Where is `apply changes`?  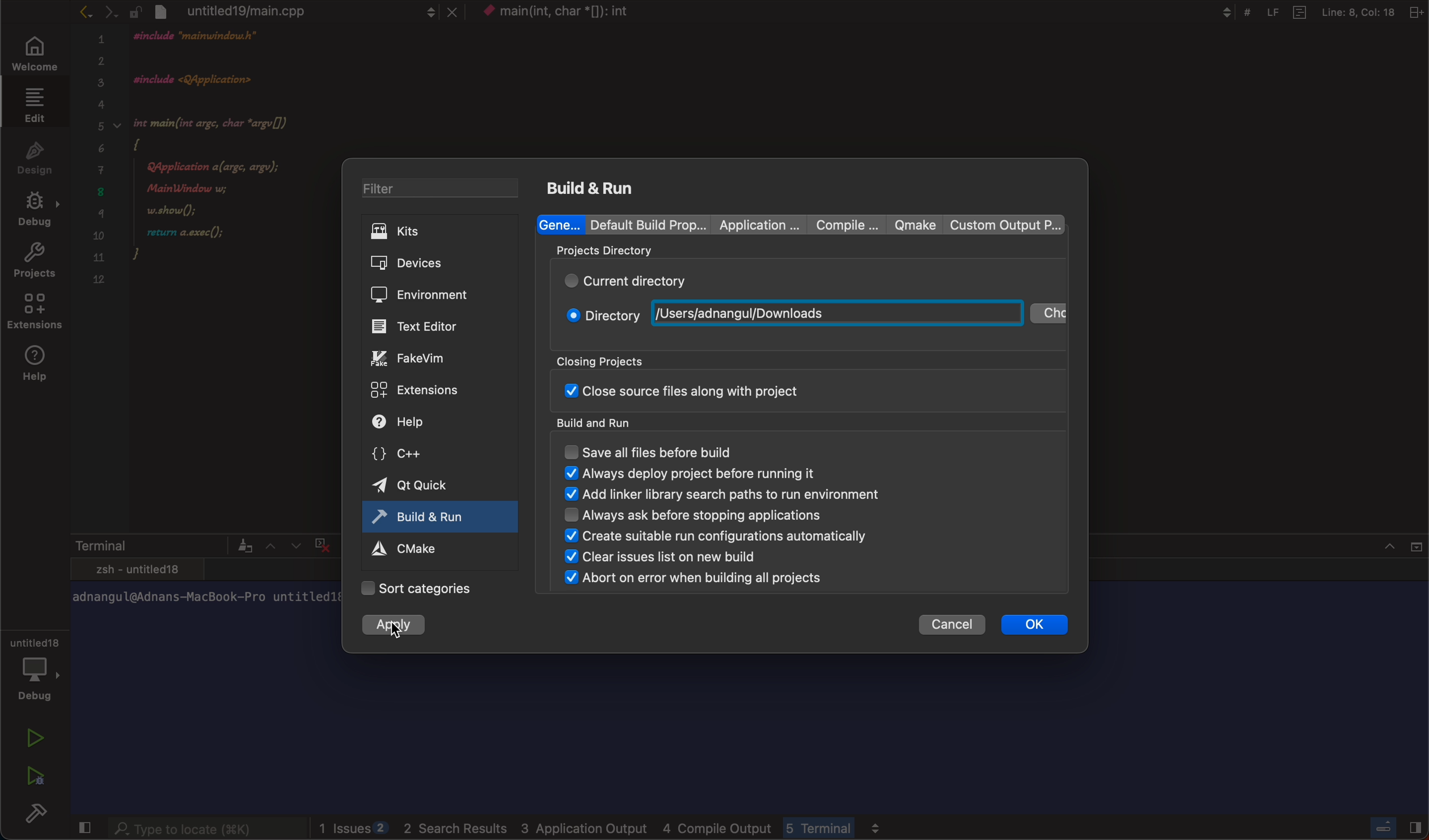
apply changes is located at coordinates (394, 625).